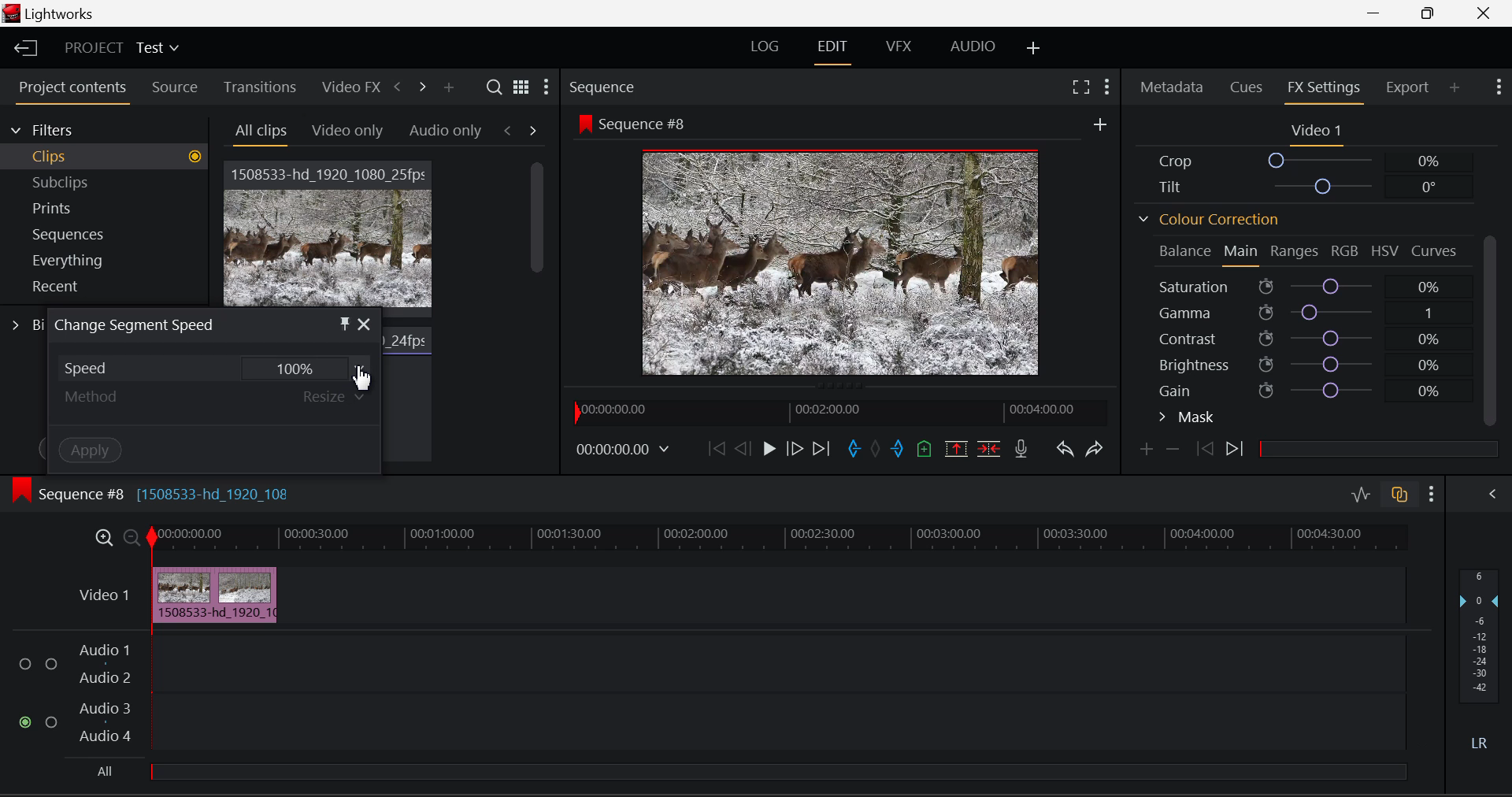  Describe the element at coordinates (836, 50) in the screenshot. I see `EDIT` at that location.